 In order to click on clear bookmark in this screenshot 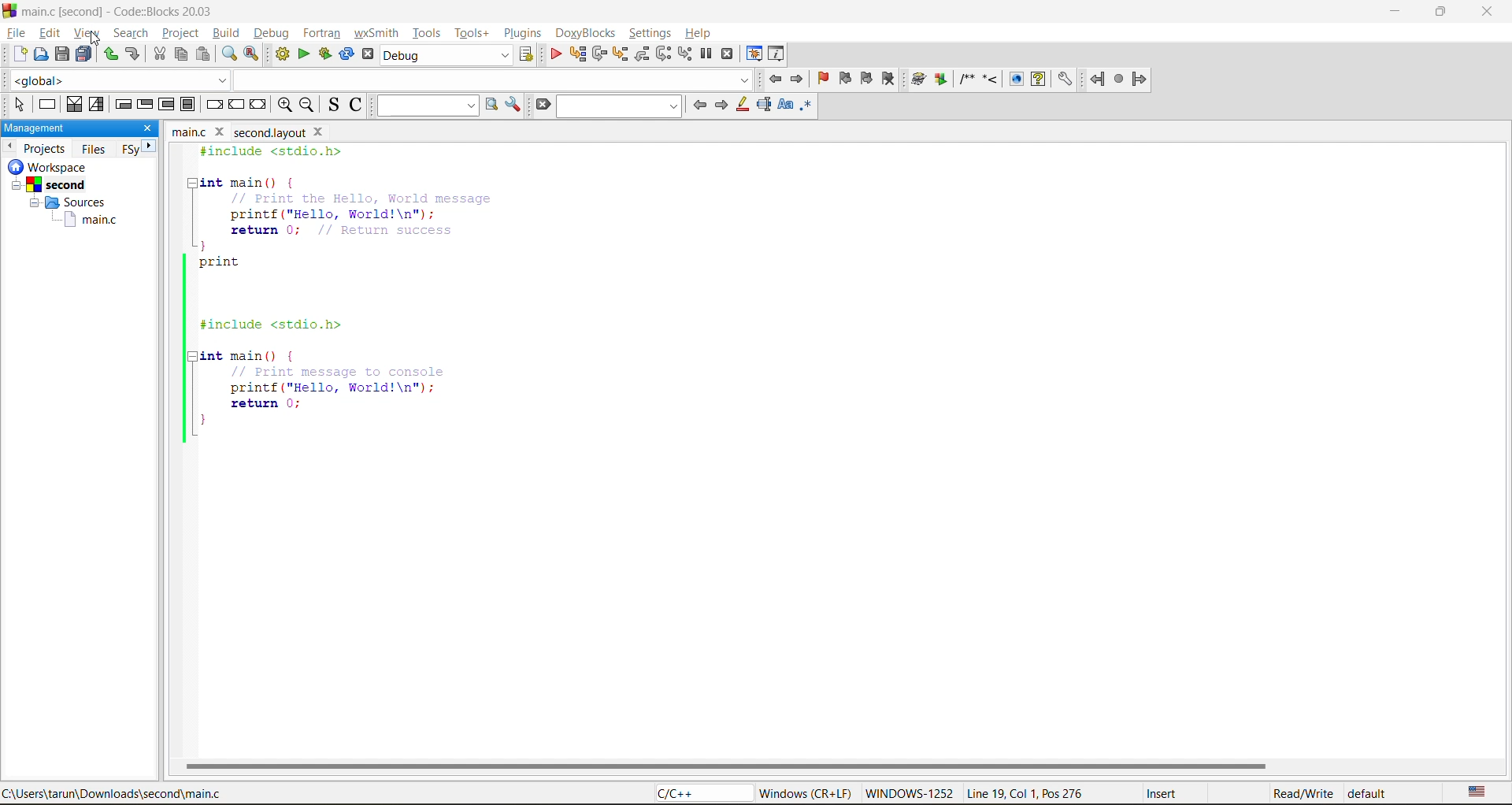, I will do `click(888, 81)`.